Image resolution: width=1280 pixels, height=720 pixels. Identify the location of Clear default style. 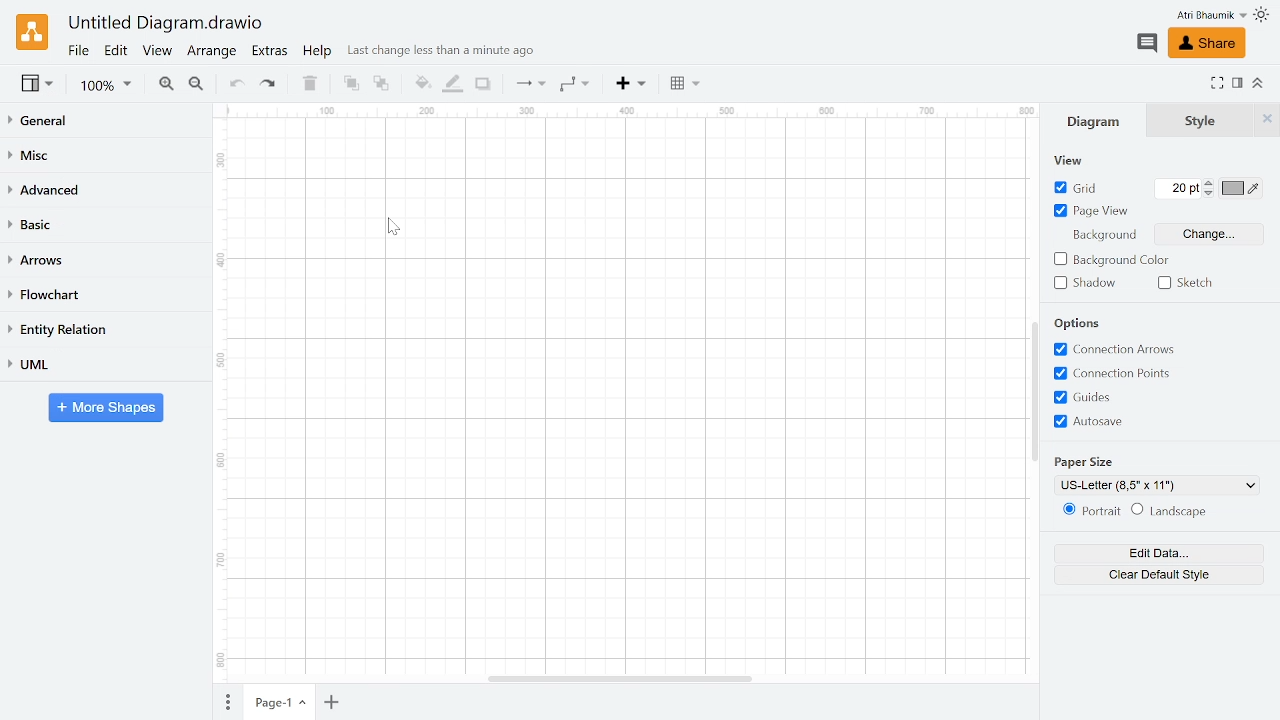
(1157, 574).